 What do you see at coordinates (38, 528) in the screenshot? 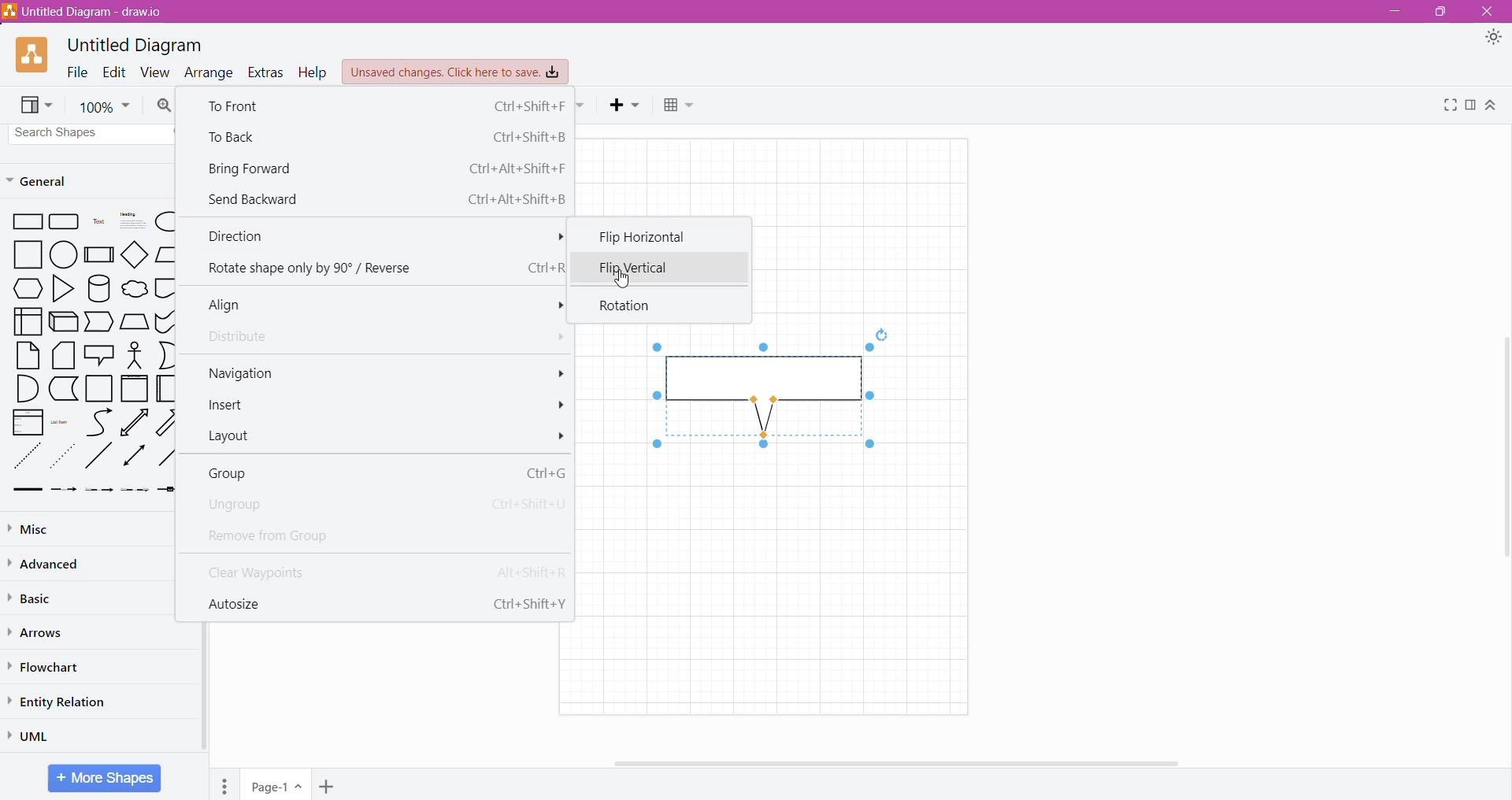
I see `Misc` at bounding box center [38, 528].